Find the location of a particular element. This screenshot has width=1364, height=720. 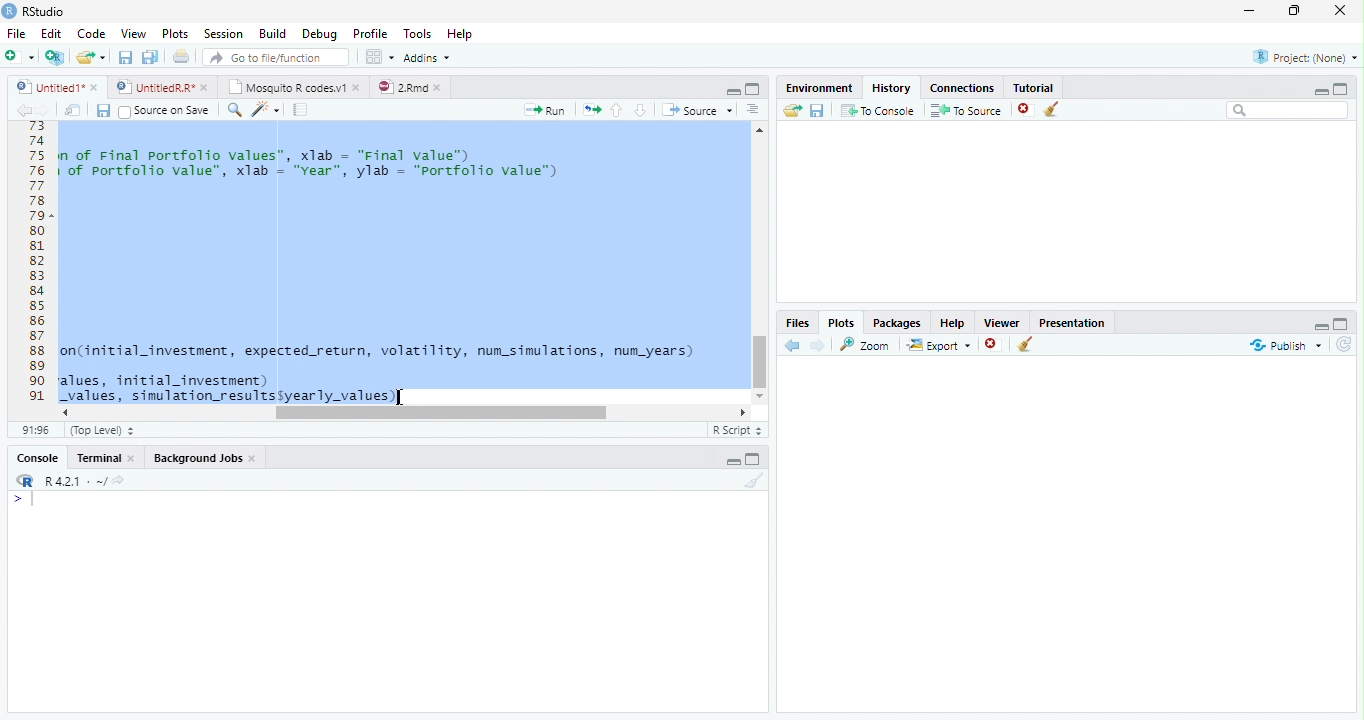

Minimize is located at coordinates (1253, 12).